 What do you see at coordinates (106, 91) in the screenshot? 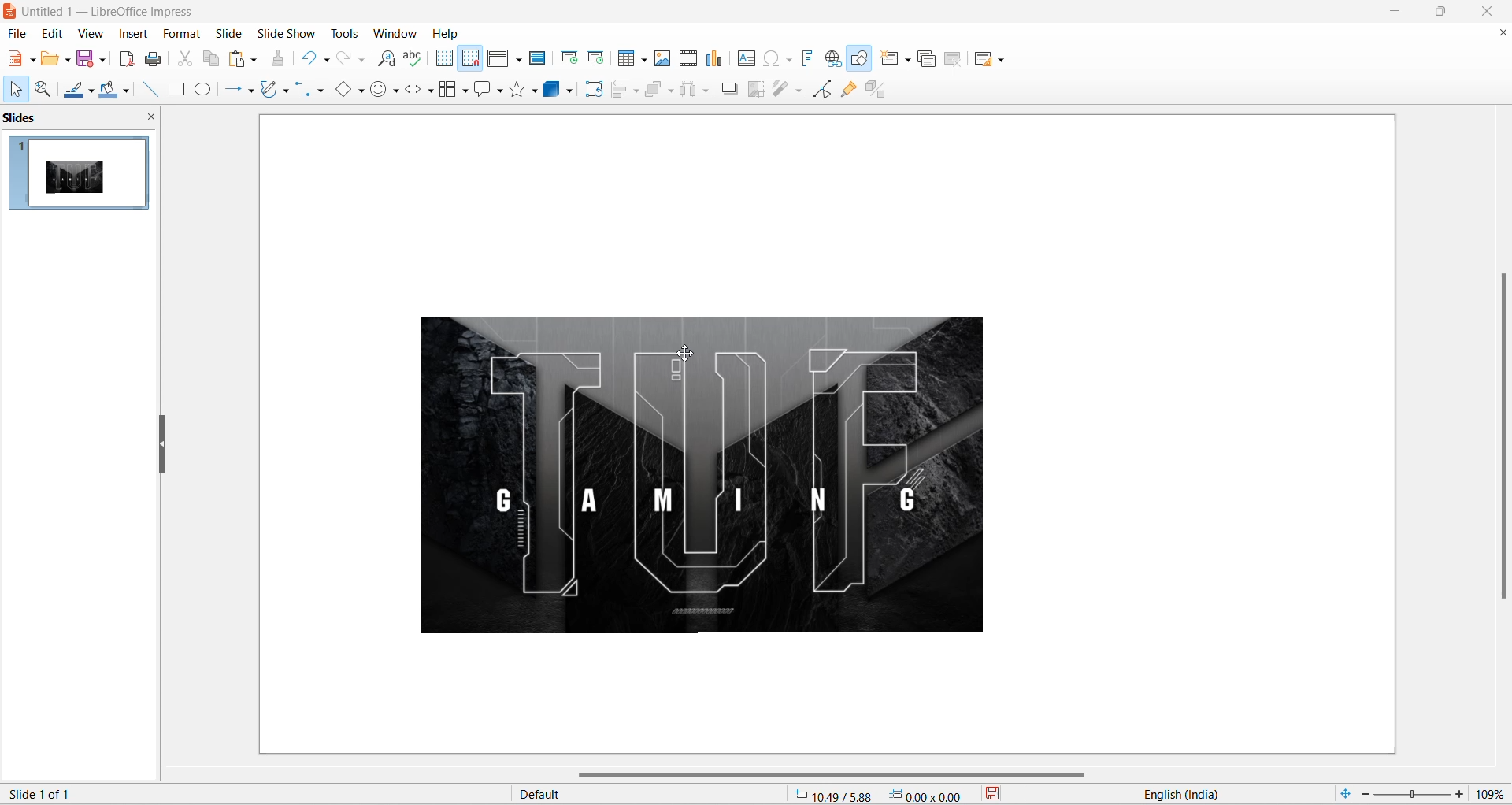
I see `fill color` at bounding box center [106, 91].